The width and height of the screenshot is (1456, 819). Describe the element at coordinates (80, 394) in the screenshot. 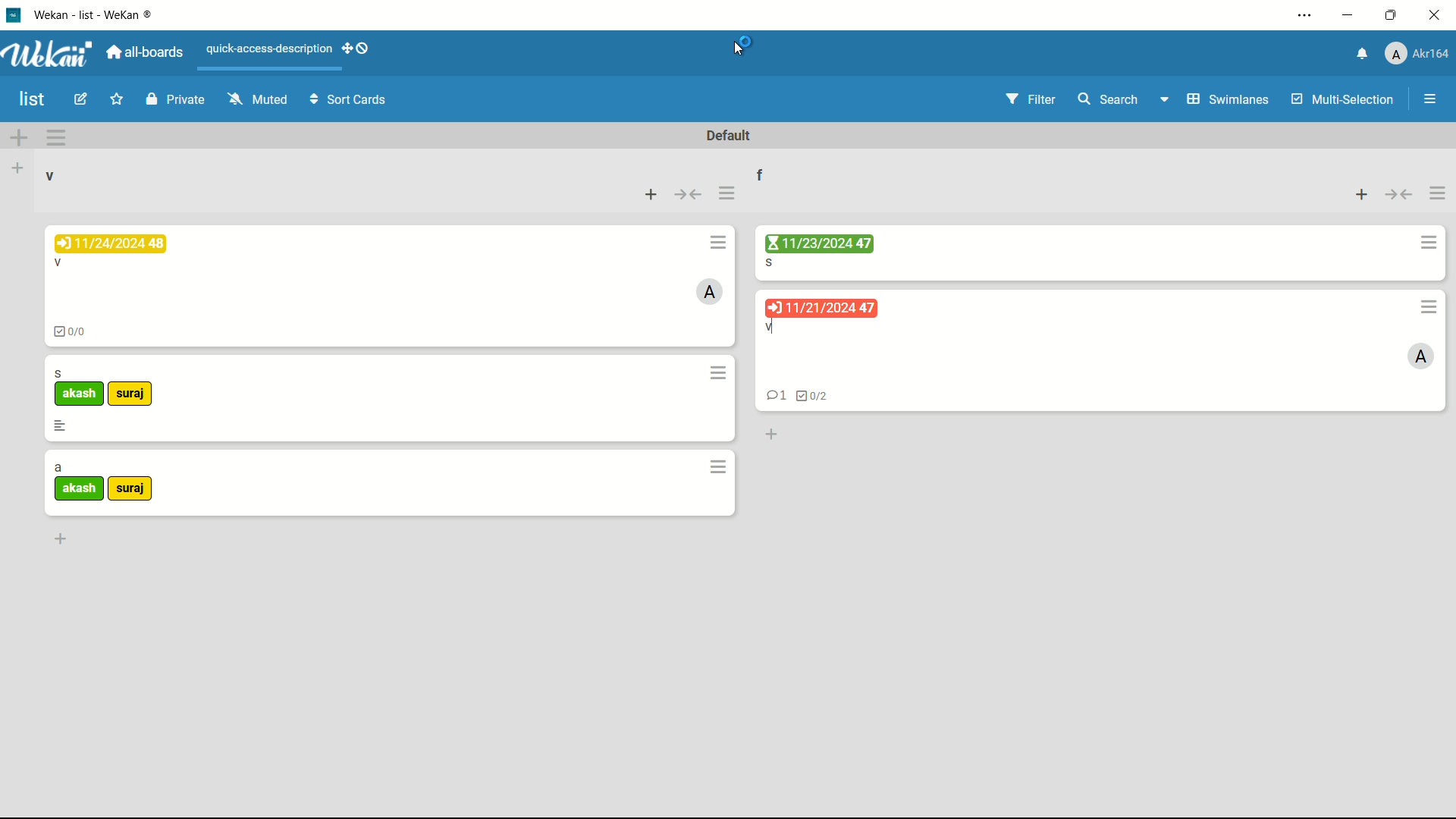

I see `label-1` at that location.